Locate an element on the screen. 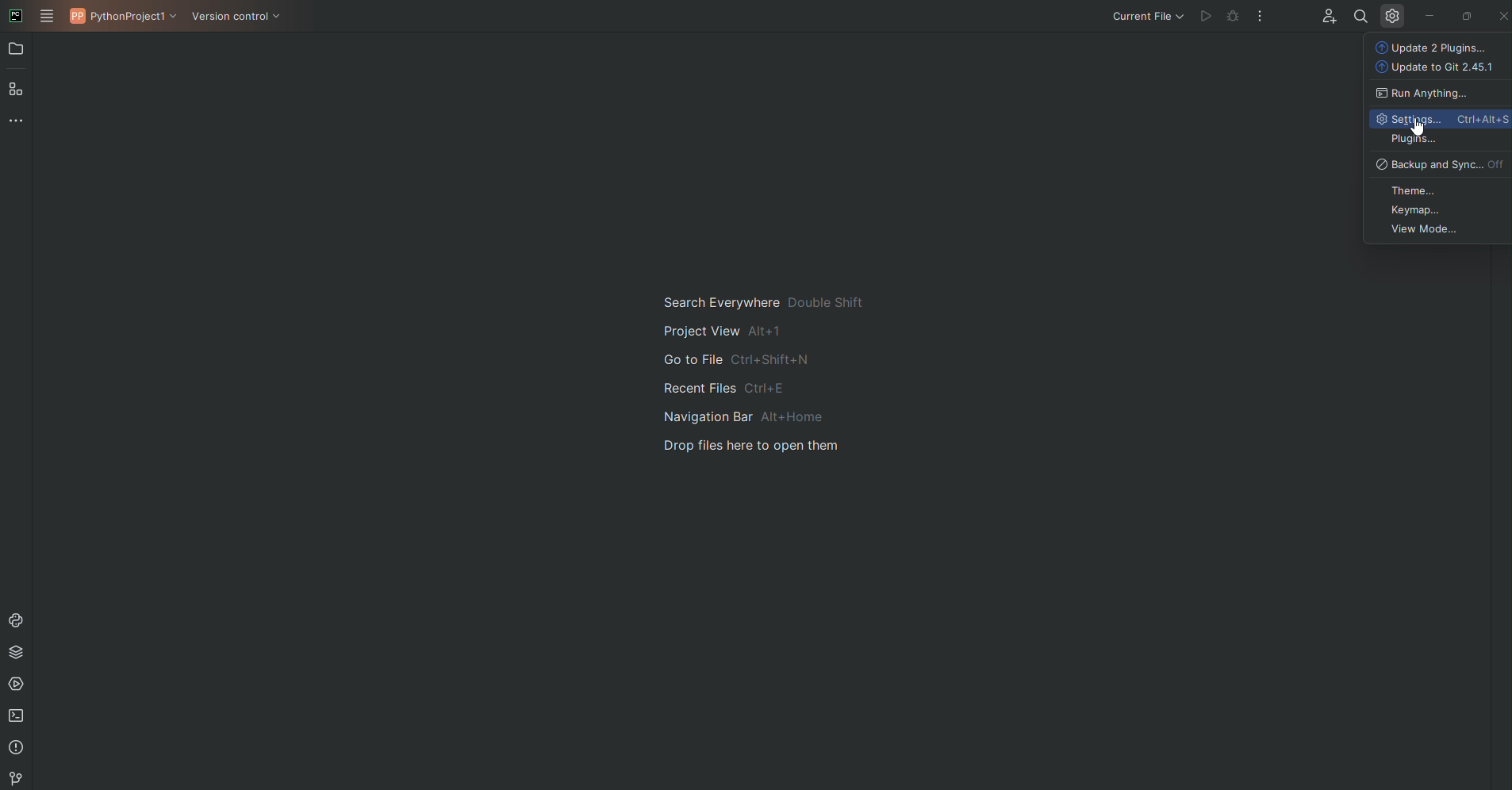 Image resolution: width=1512 pixels, height=790 pixels. Version Control is located at coordinates (241, 21).